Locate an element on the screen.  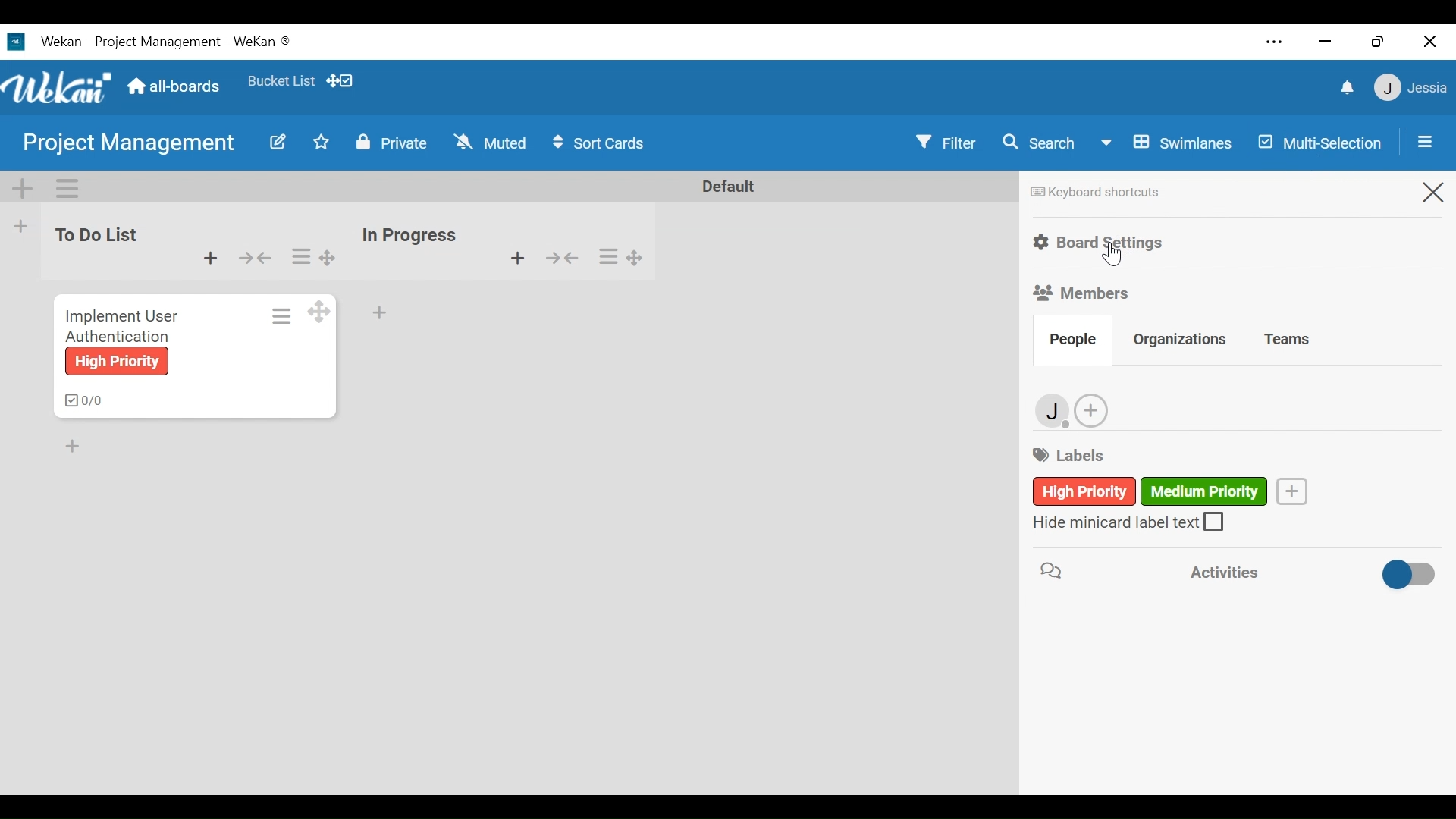
Close is located at coordinates (1432, 195).